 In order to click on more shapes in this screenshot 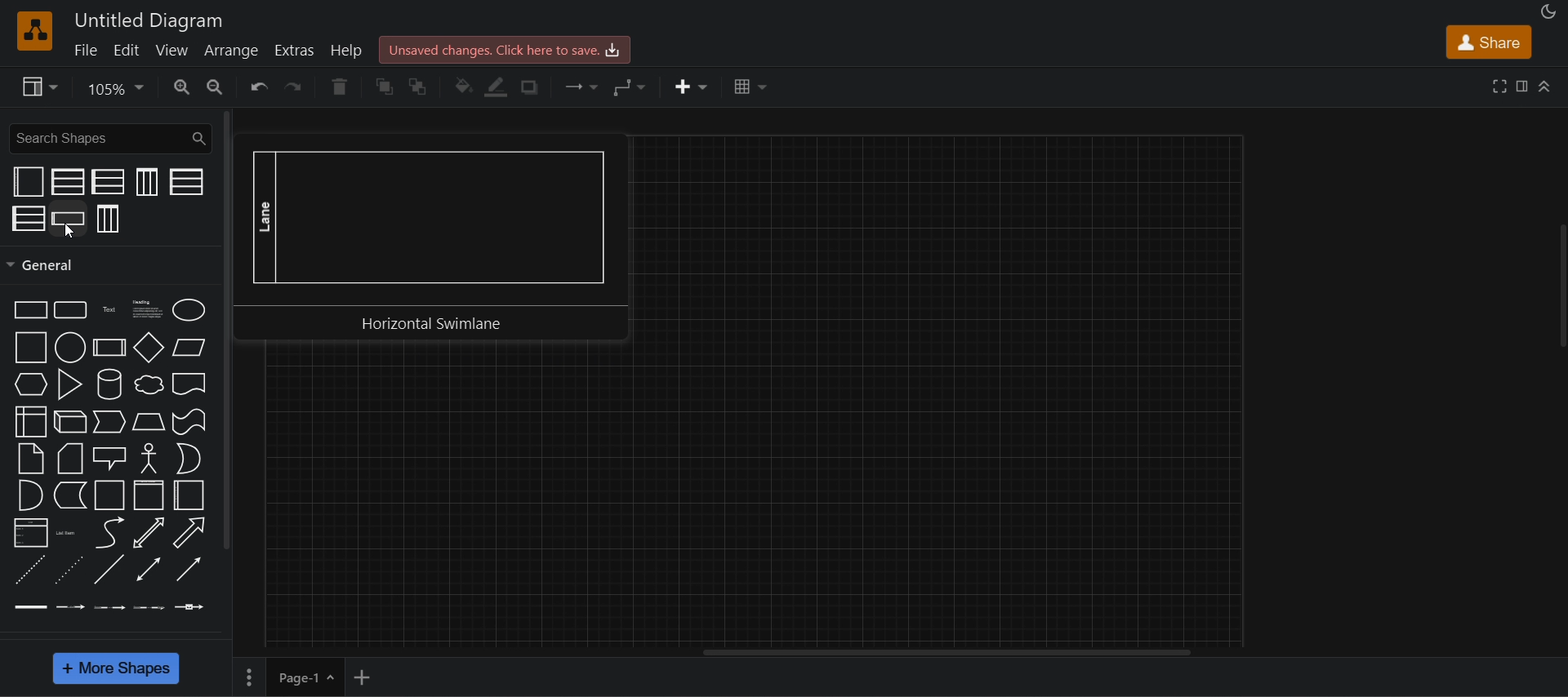, I will do `click(118, 669)`.